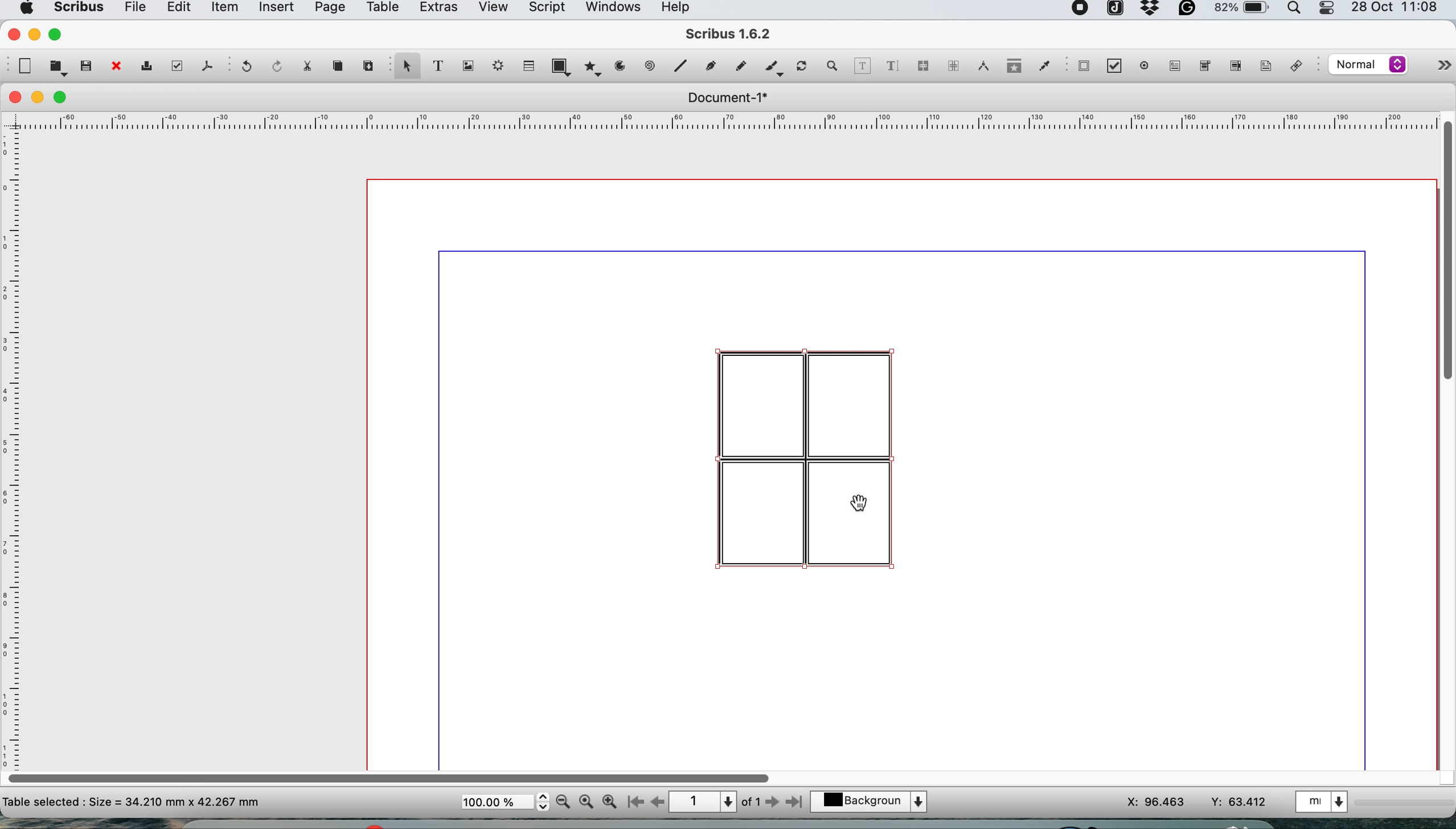  I want to click on table to edit, so click(810, 458).